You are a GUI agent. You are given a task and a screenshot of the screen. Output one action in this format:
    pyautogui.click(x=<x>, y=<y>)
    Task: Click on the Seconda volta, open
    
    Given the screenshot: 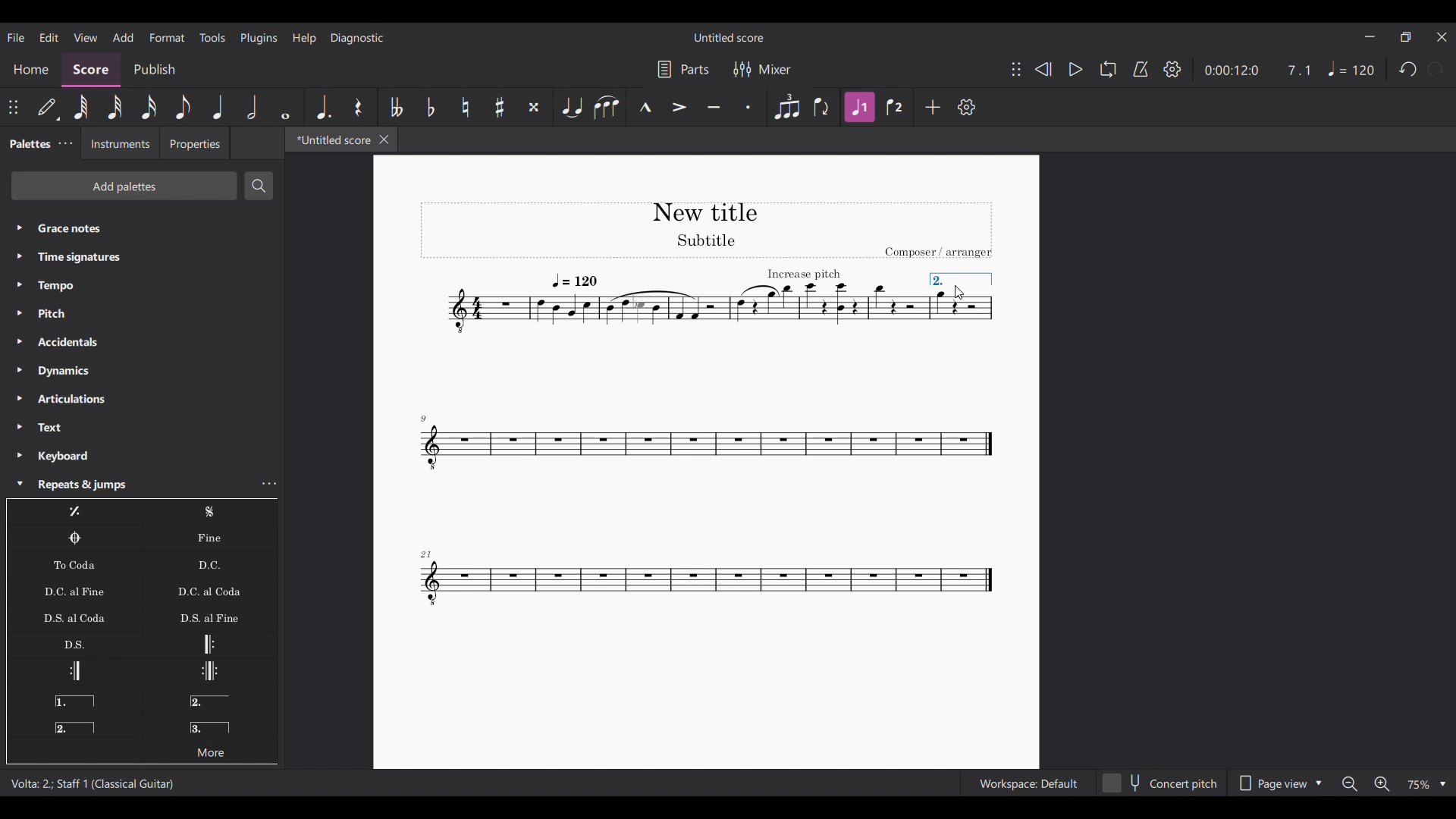 What is the action you would take?
    pyautogui.click(x=209, y=698)
    